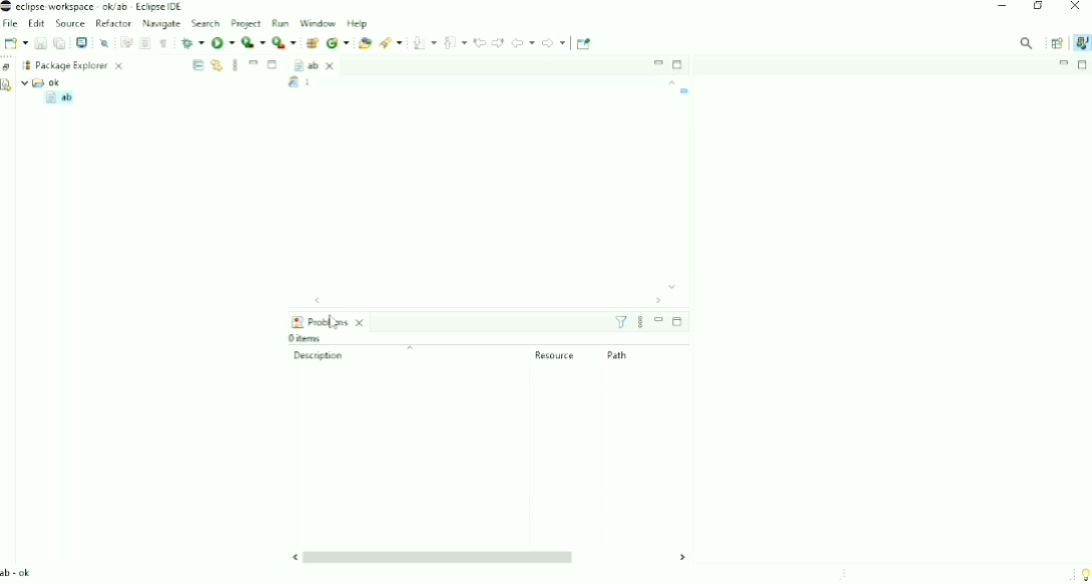 Image resolution: width=1092 pixels, height=584 pixels. Describe the element at coordinates (1081, 572) in the screenshot. I see `Tip of the day` at that location.